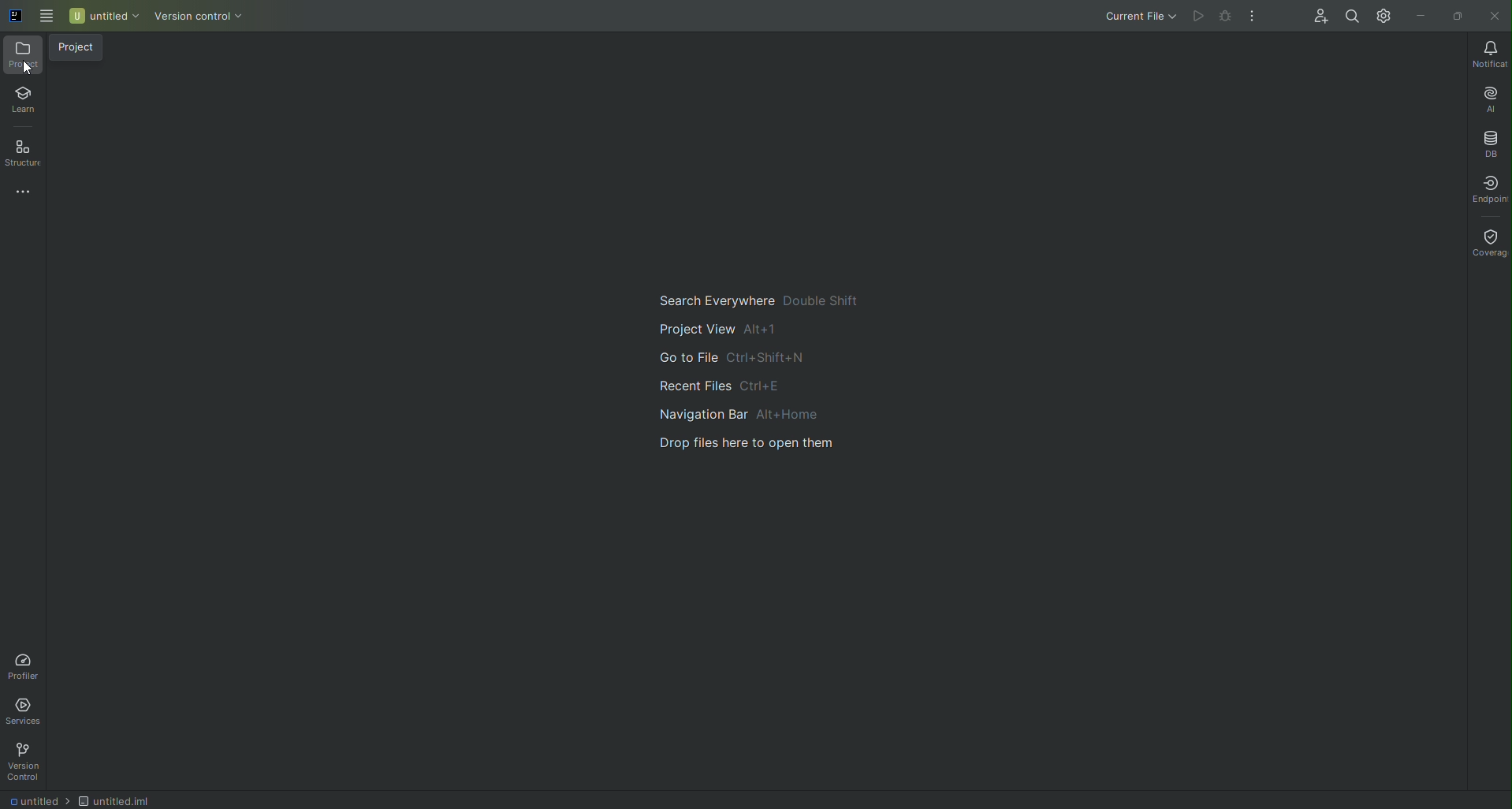  What do you see at coordinates (32, 665) in the screenshot?
I see `Profiler` at bounding box center [32, 665].